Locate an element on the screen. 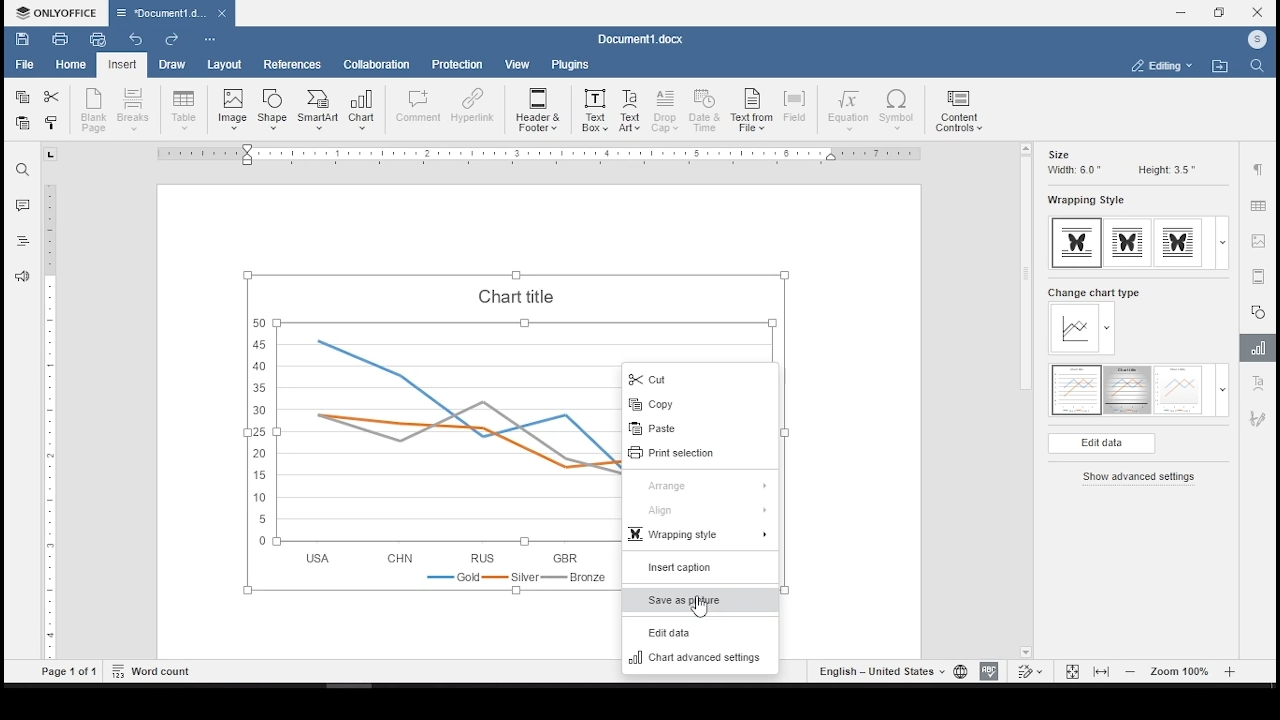 The width and height of the screenshot is (1280, 720). print selection is located at coordinates (696, 454).